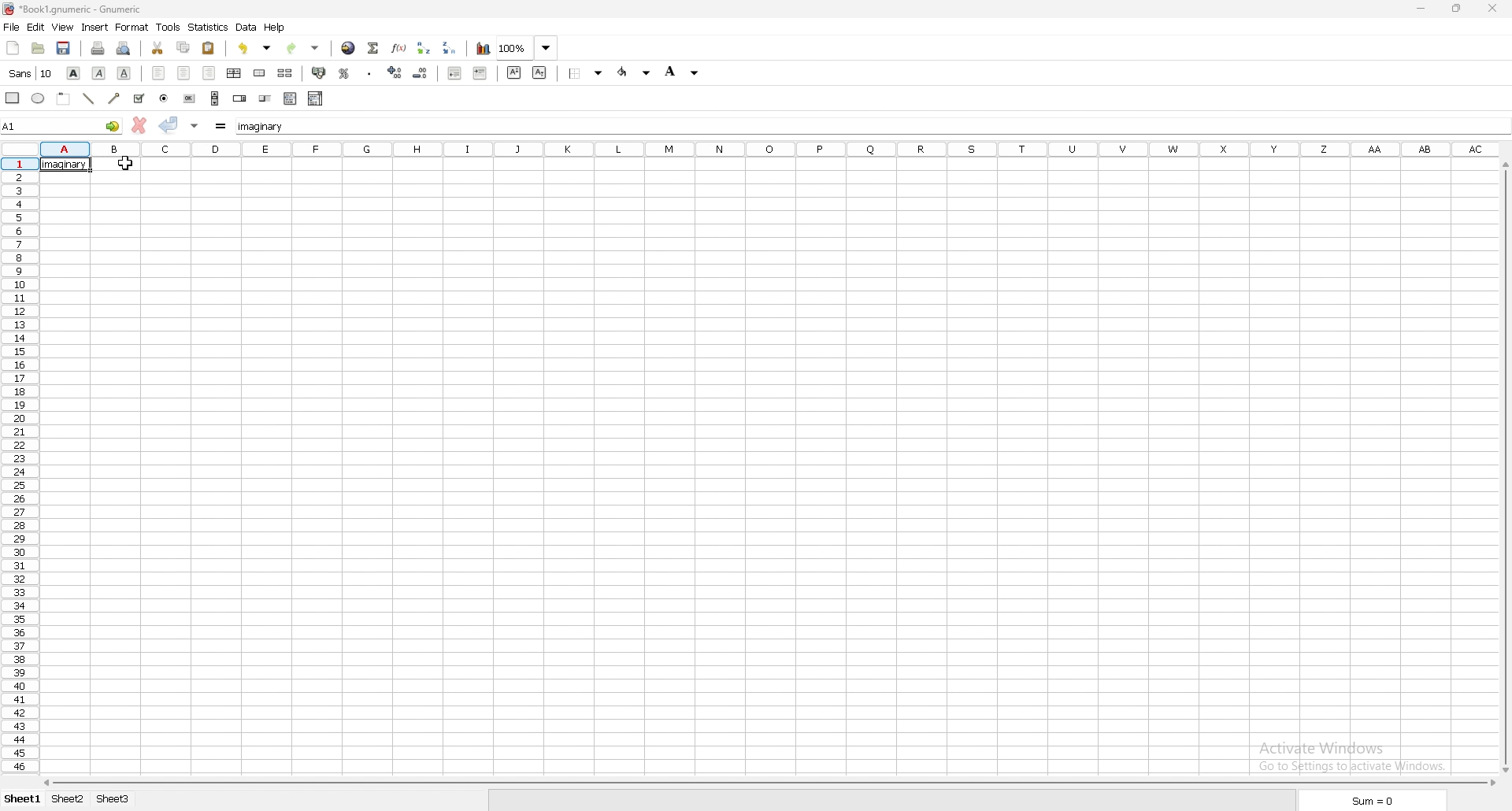 This screenshot has height=811, width=1512. What do you see at coordinates (39, 47) in the screenshot?
I see `open` at bounding box center [39, 47].